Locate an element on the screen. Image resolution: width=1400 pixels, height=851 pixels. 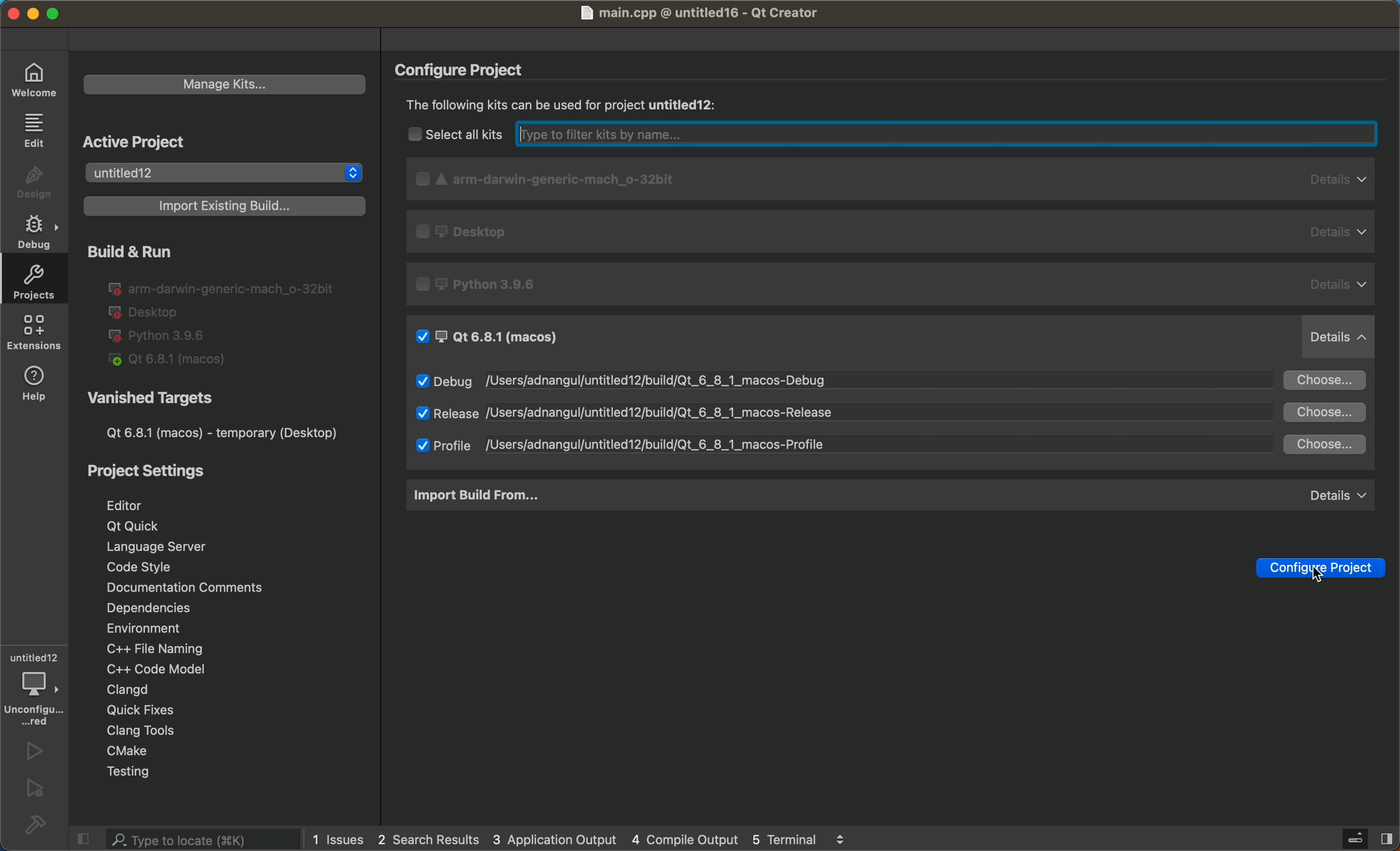
search is located at coordinates (189, 840).